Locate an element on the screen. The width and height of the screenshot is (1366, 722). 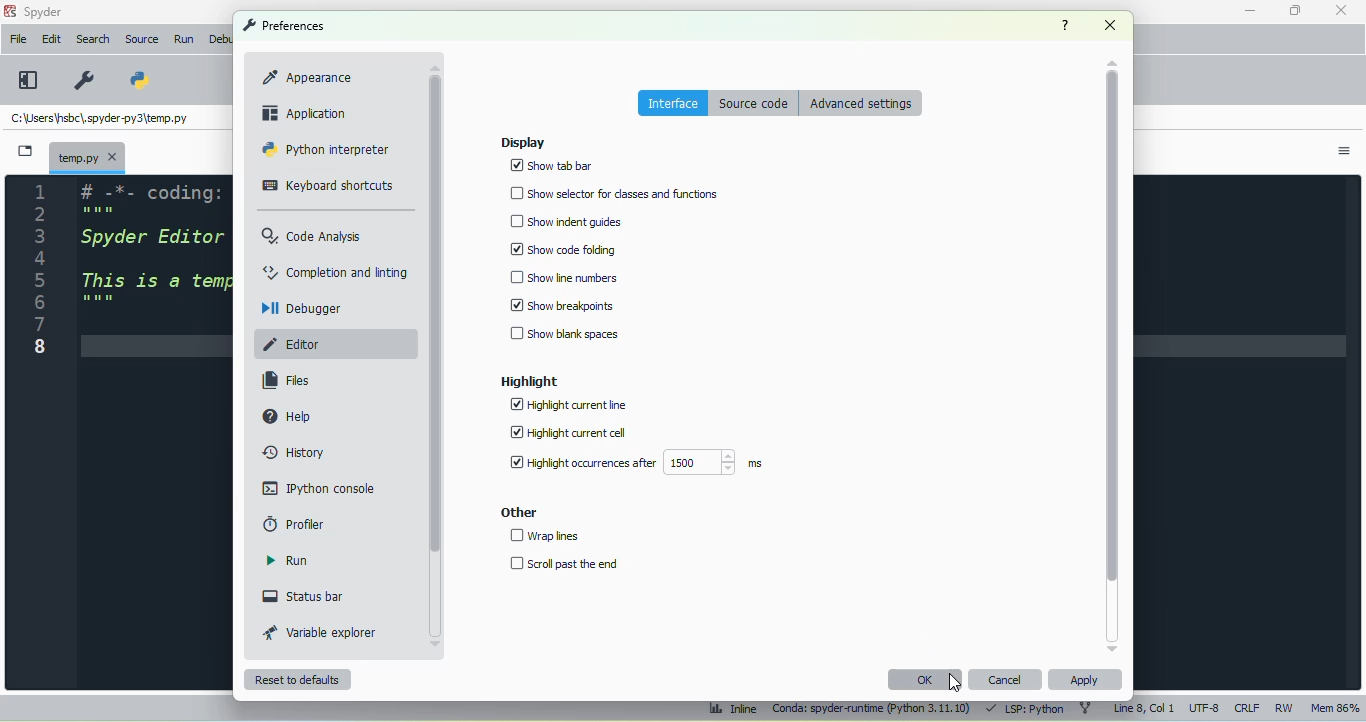
completion and linting is located at coordinates (336, 271).